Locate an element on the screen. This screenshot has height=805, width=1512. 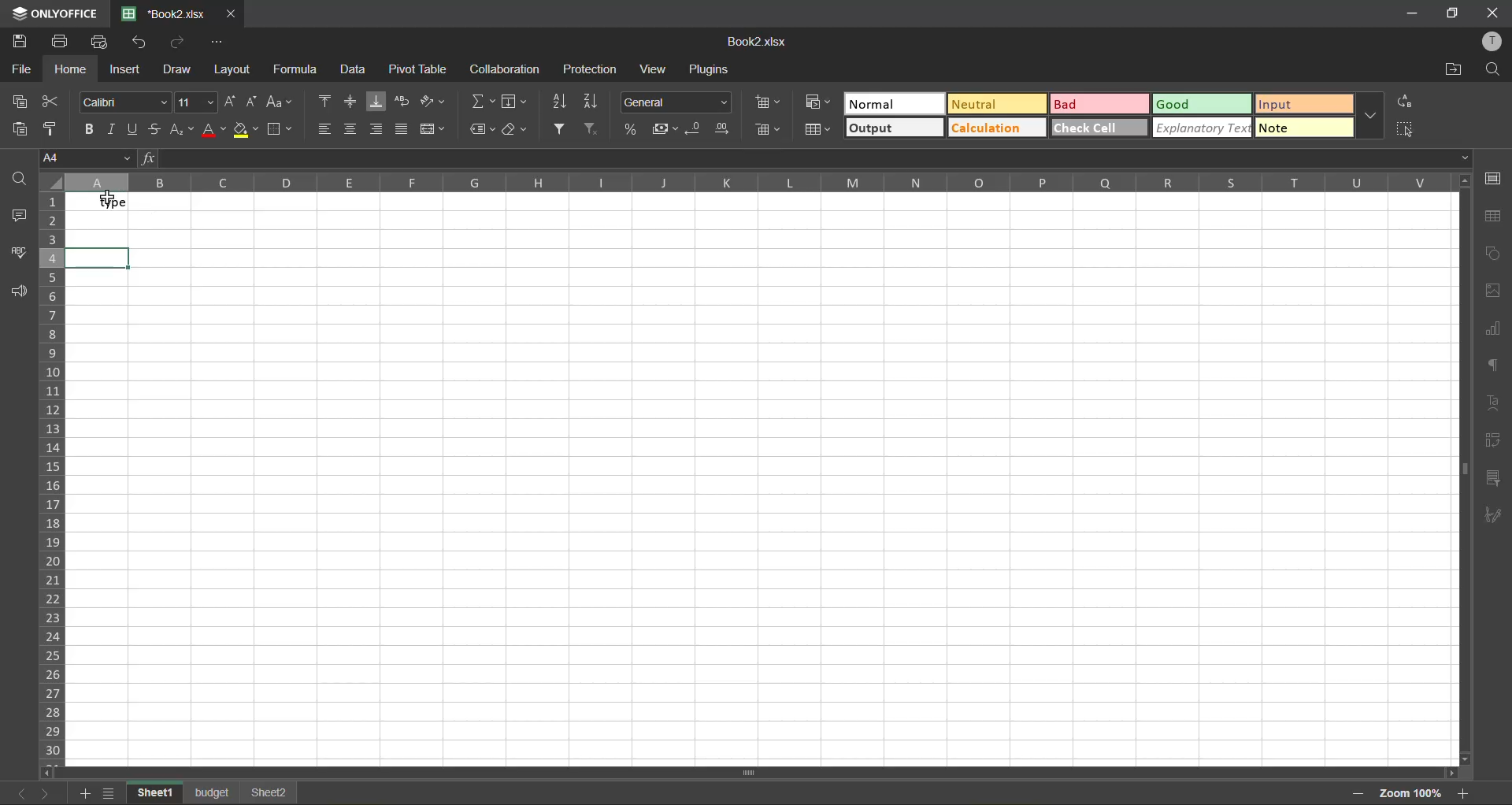
cut is located at coordinates (51, 101).